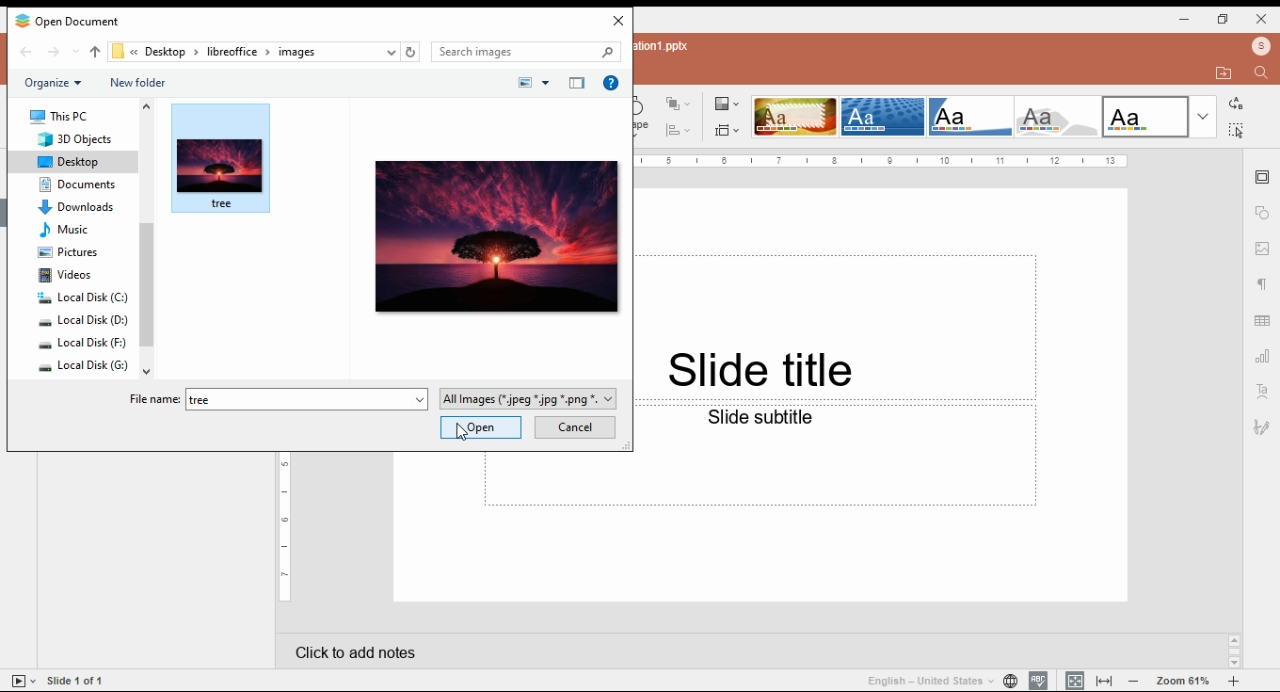  What do you see at coordinates (1264, 177) in the screenshot?
I see `slide settings` at bounding box center [1264, 177].